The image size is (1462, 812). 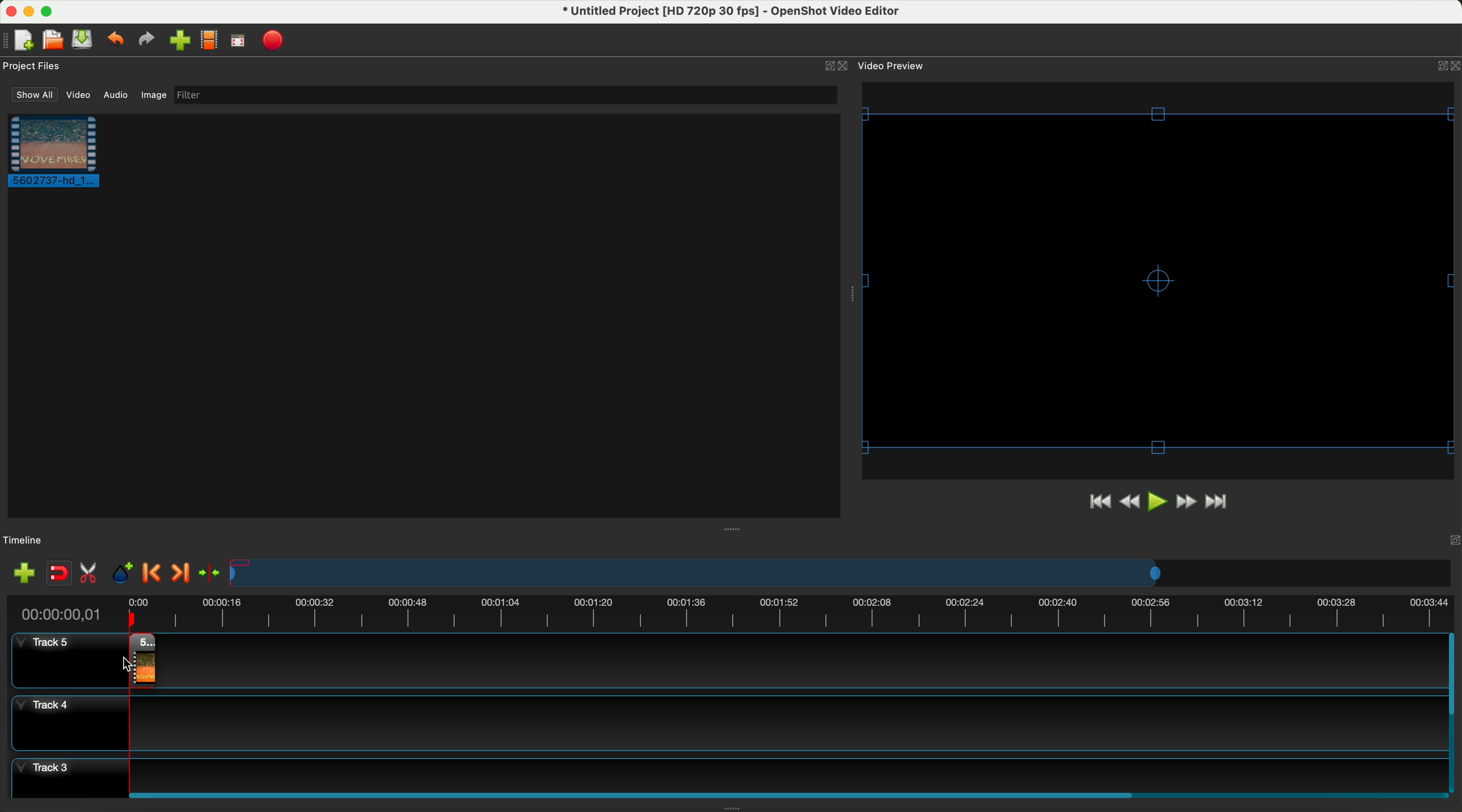 I want to click on open project, so click(x=52, y=37).